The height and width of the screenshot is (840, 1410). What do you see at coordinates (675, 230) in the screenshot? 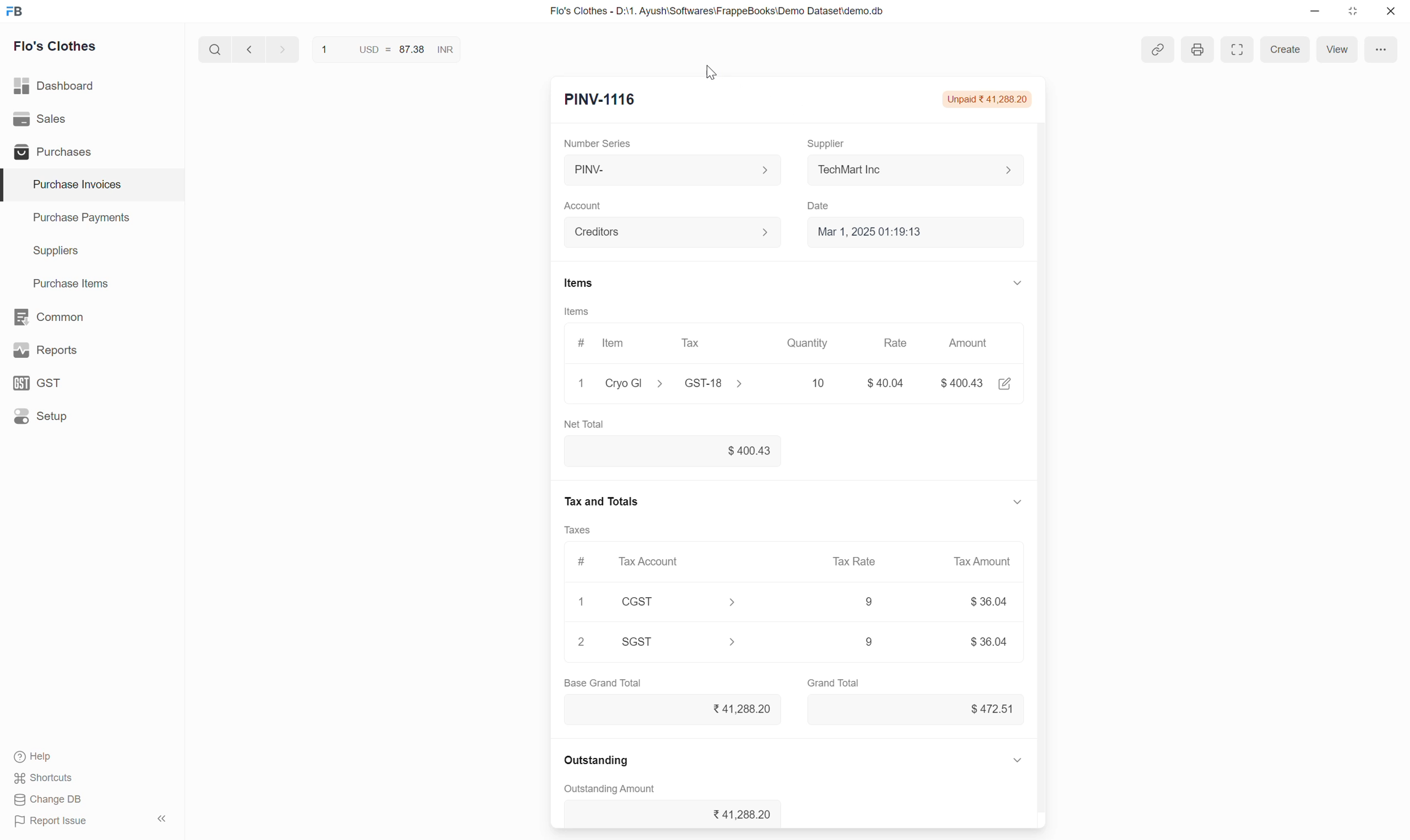
I see `Account ` at bounding box center [675, 230].